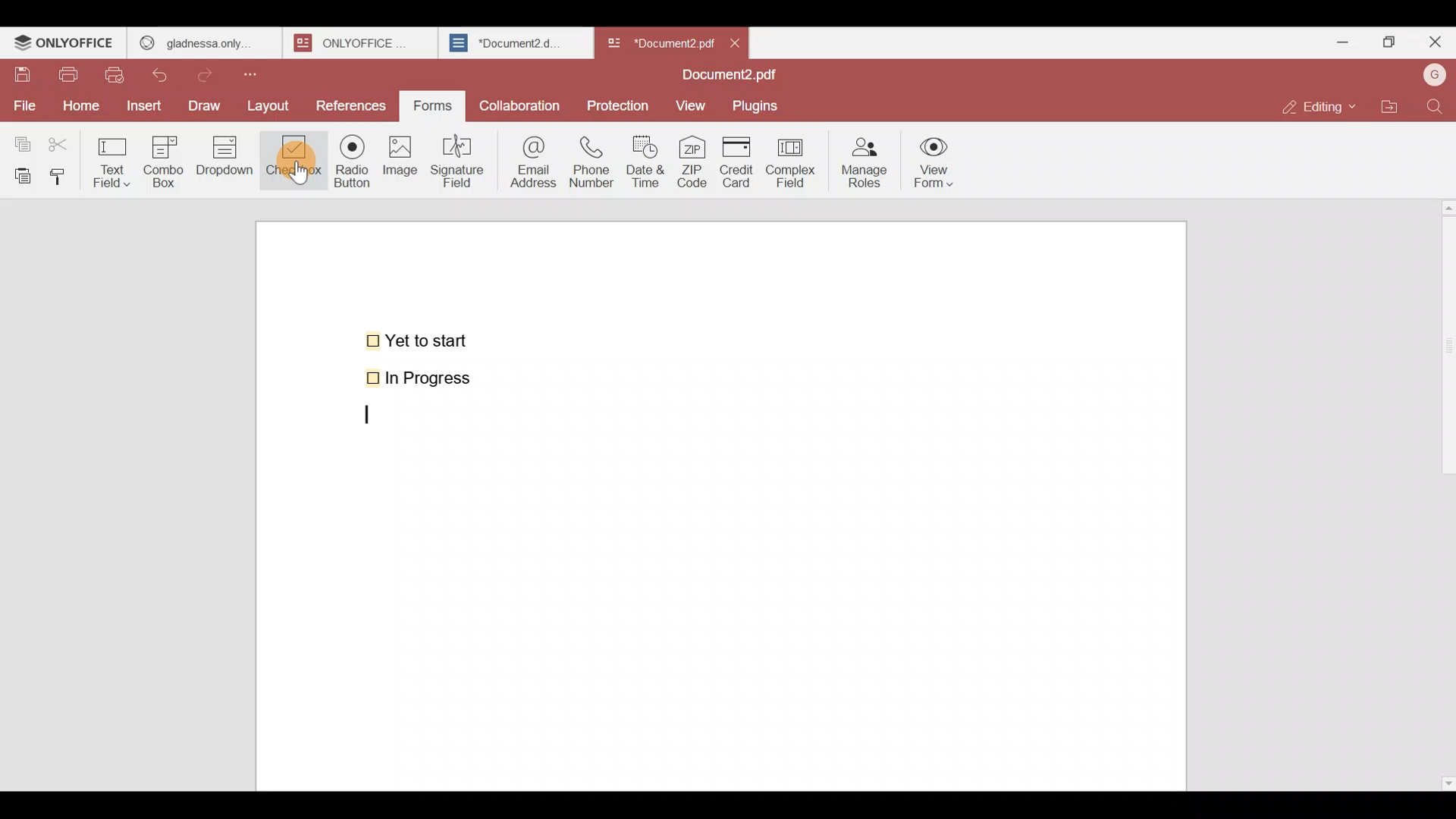 The width and height of the screenshot is (1456, 819). What do you see at coordinates (115, 158) in the screenshot?
I see `Text field` at bounding box center [115, 158].